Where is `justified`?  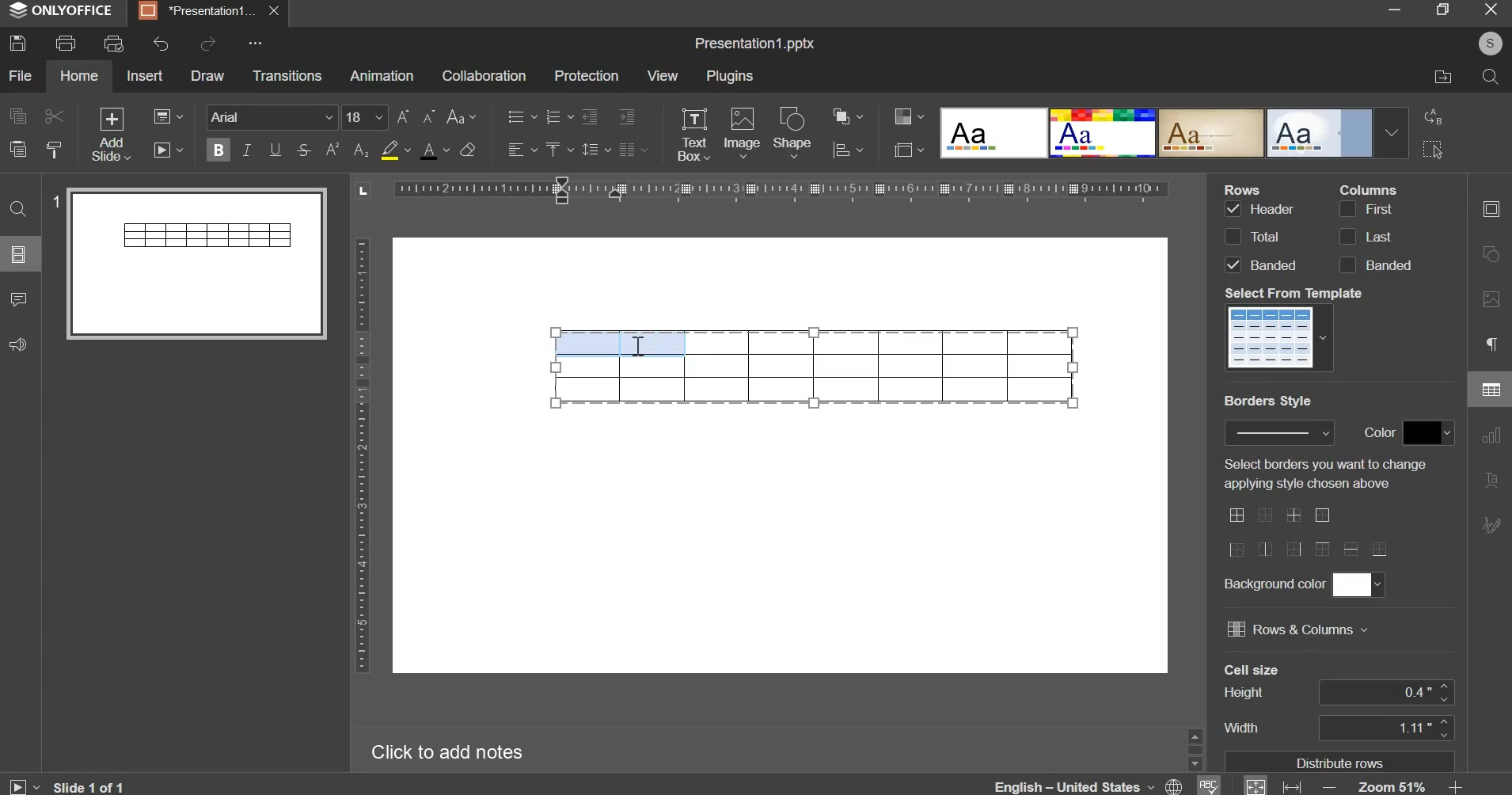
justified is located at coordinates (633, 150).